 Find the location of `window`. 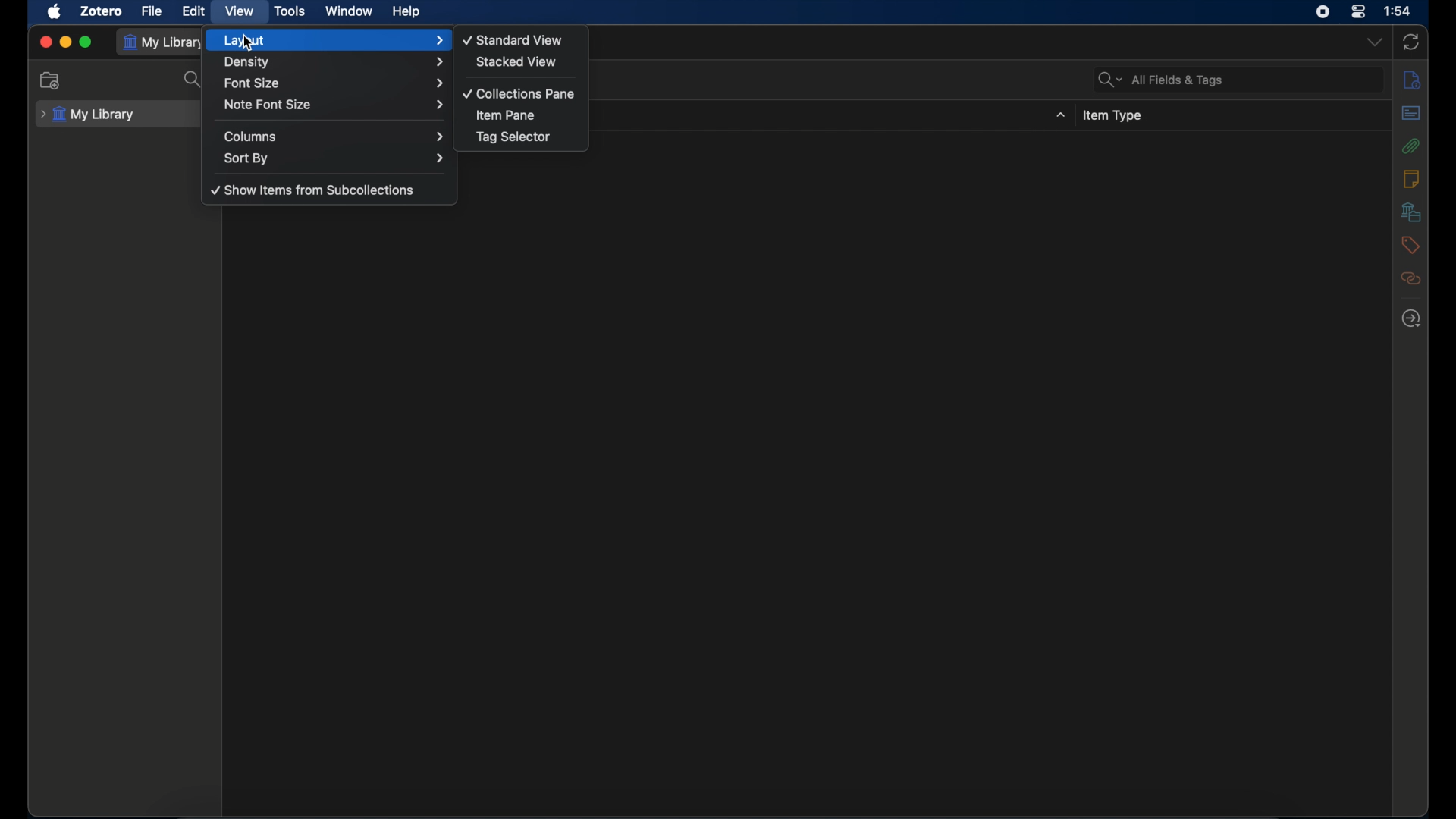

window is located at coordinates (350, 11).